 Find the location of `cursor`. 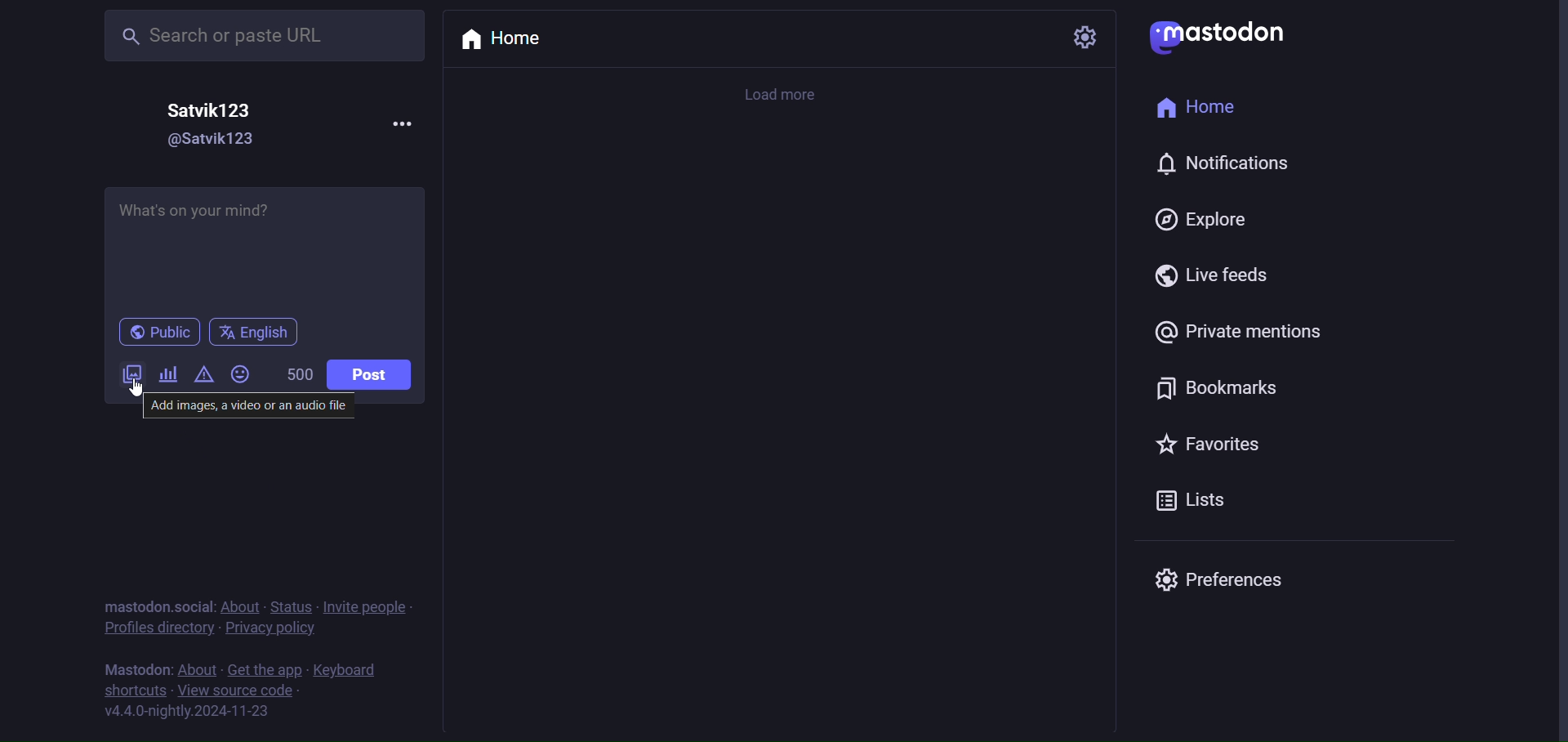

cursor is located at coordinates (136, 388).